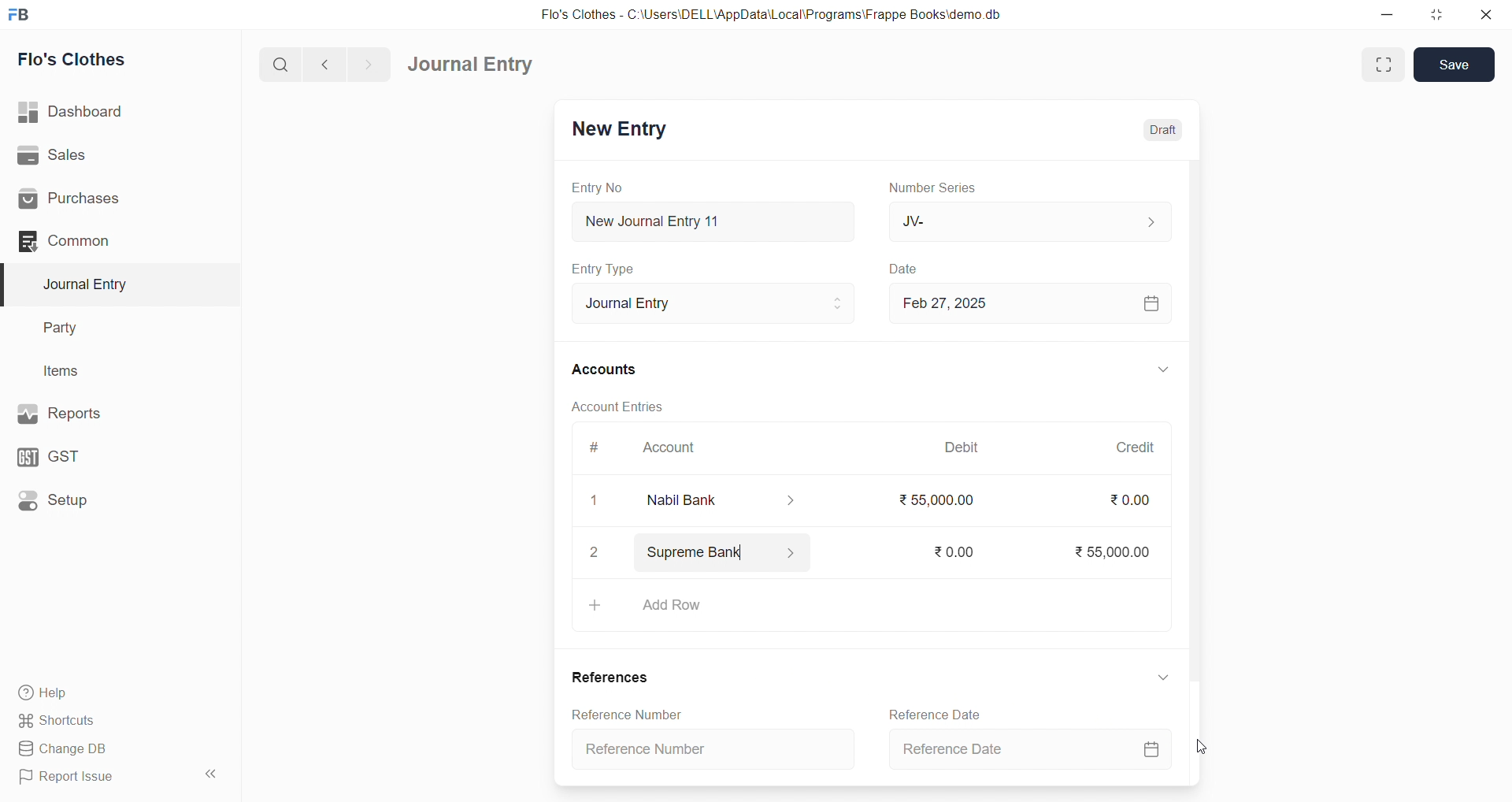  Describe the element at coordinates (1137, 448) in the screenshot. I see `Credit` at that location.